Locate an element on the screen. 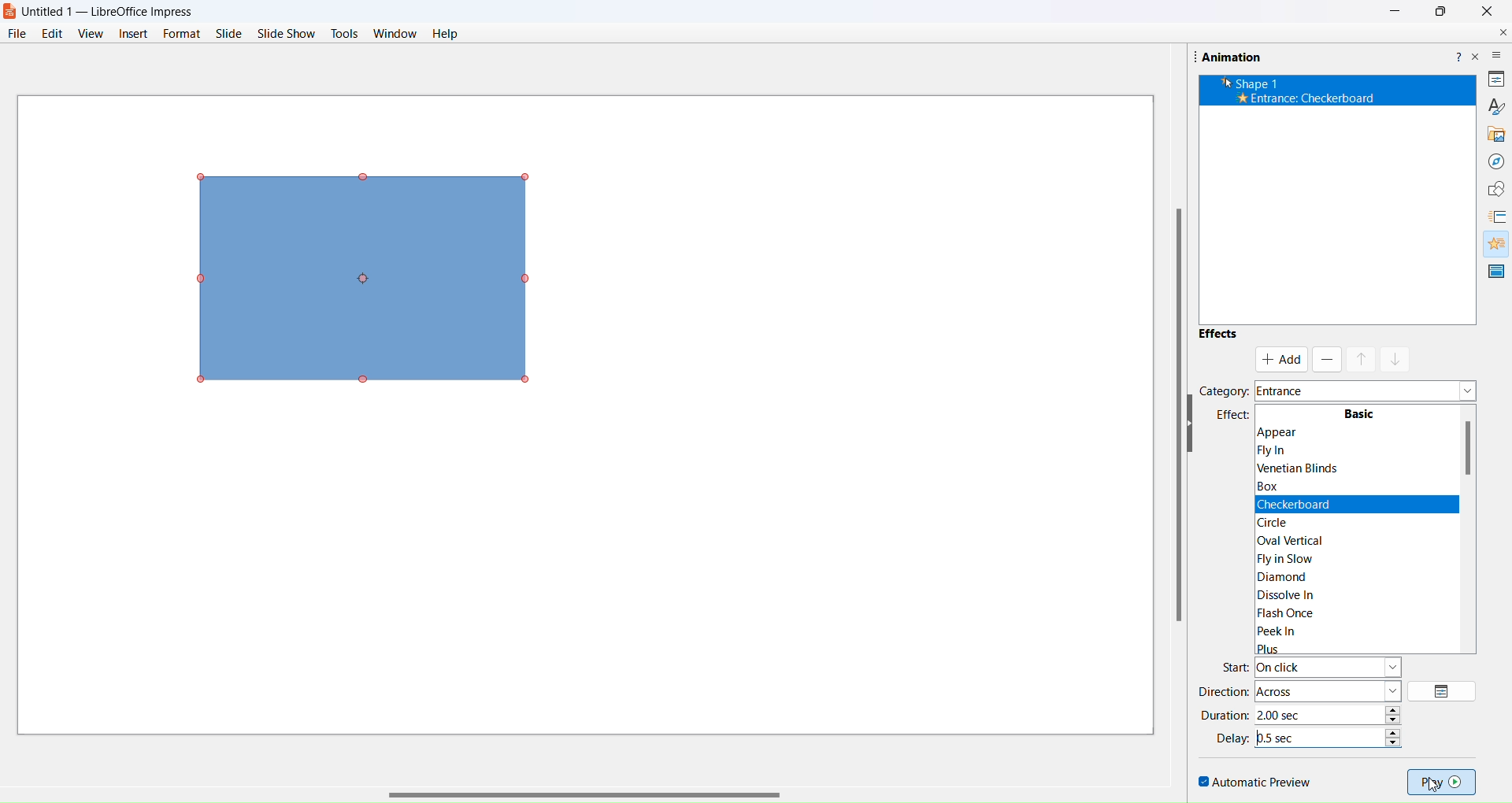 This screenshot has width=1512, height=803. direction is located at coordinates (1221, 692).